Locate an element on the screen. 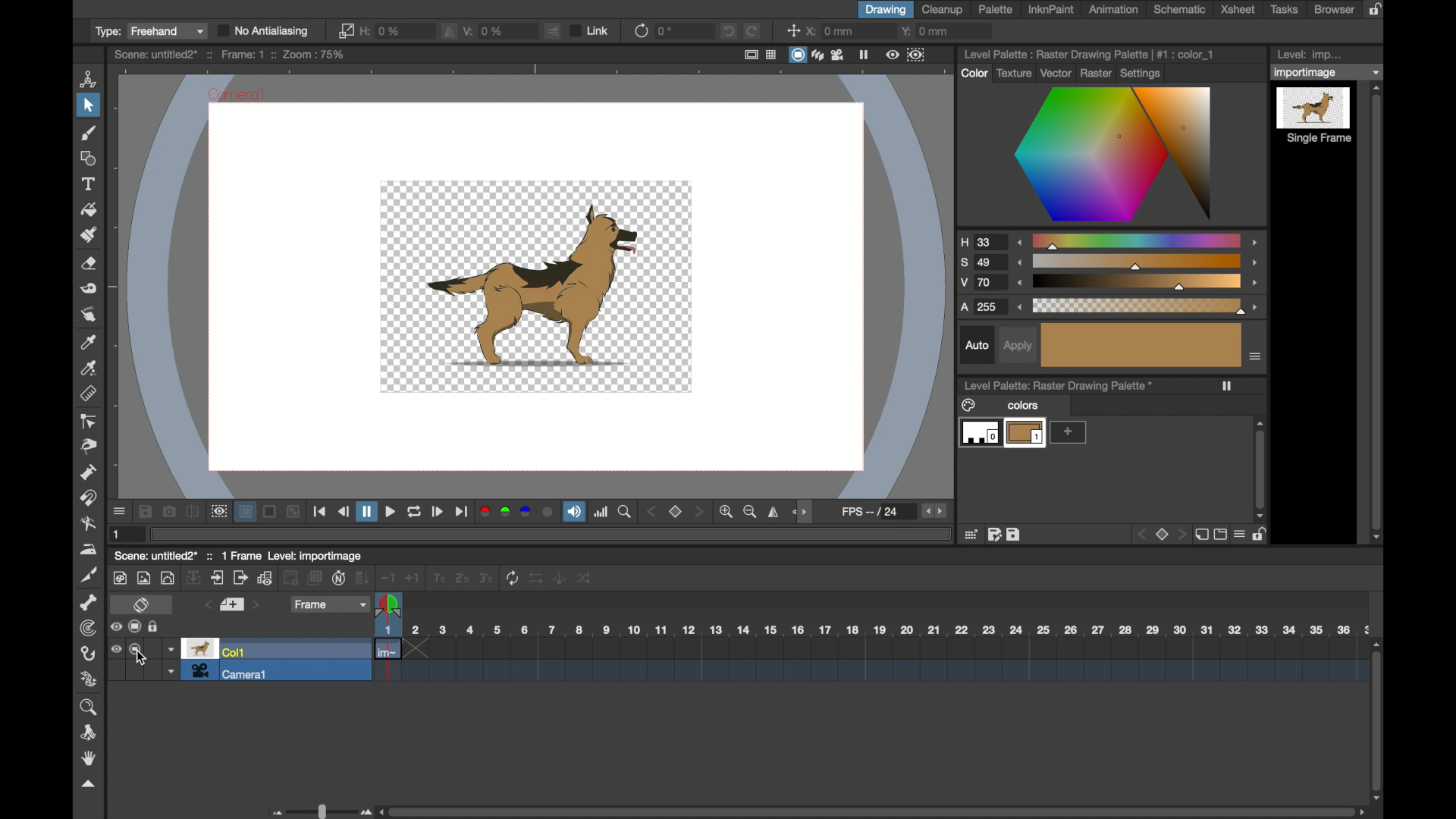  drag handle is located at coordinates (802, 514).